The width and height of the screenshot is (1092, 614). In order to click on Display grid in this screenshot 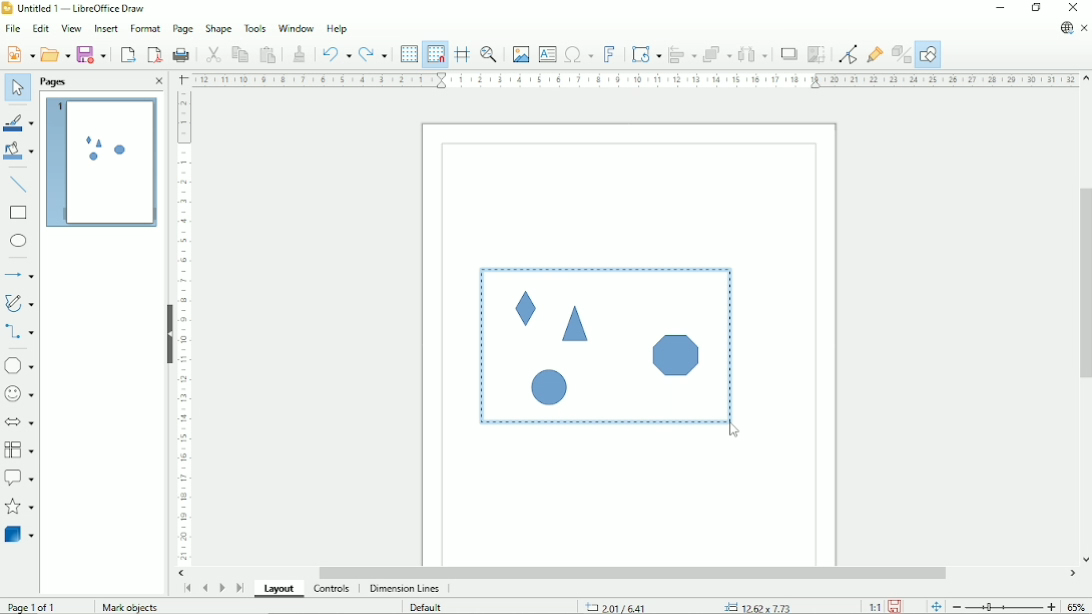, I will do `click(408, 54)`.